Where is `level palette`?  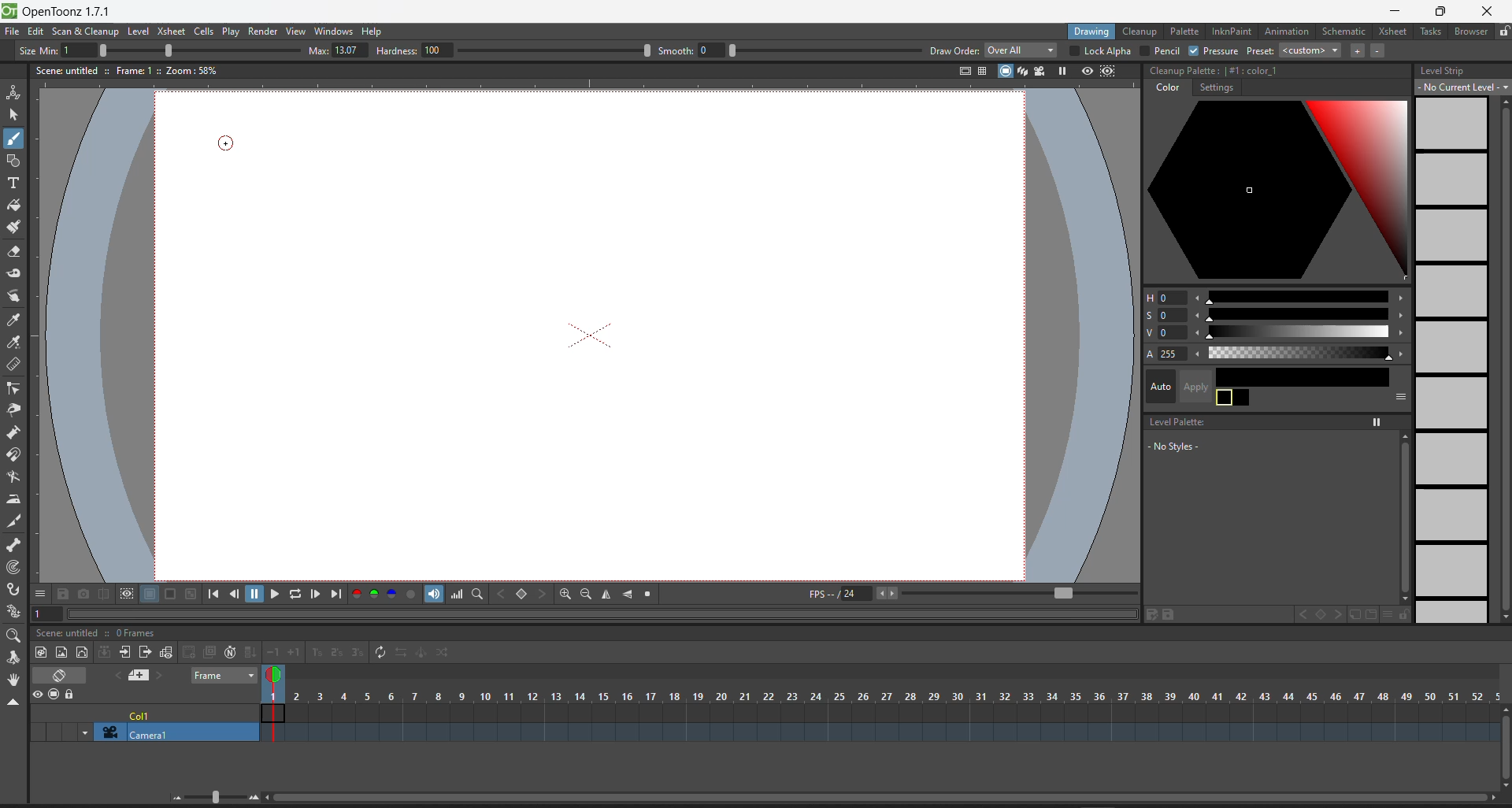
level palette is located at coordinates (1173, 422).